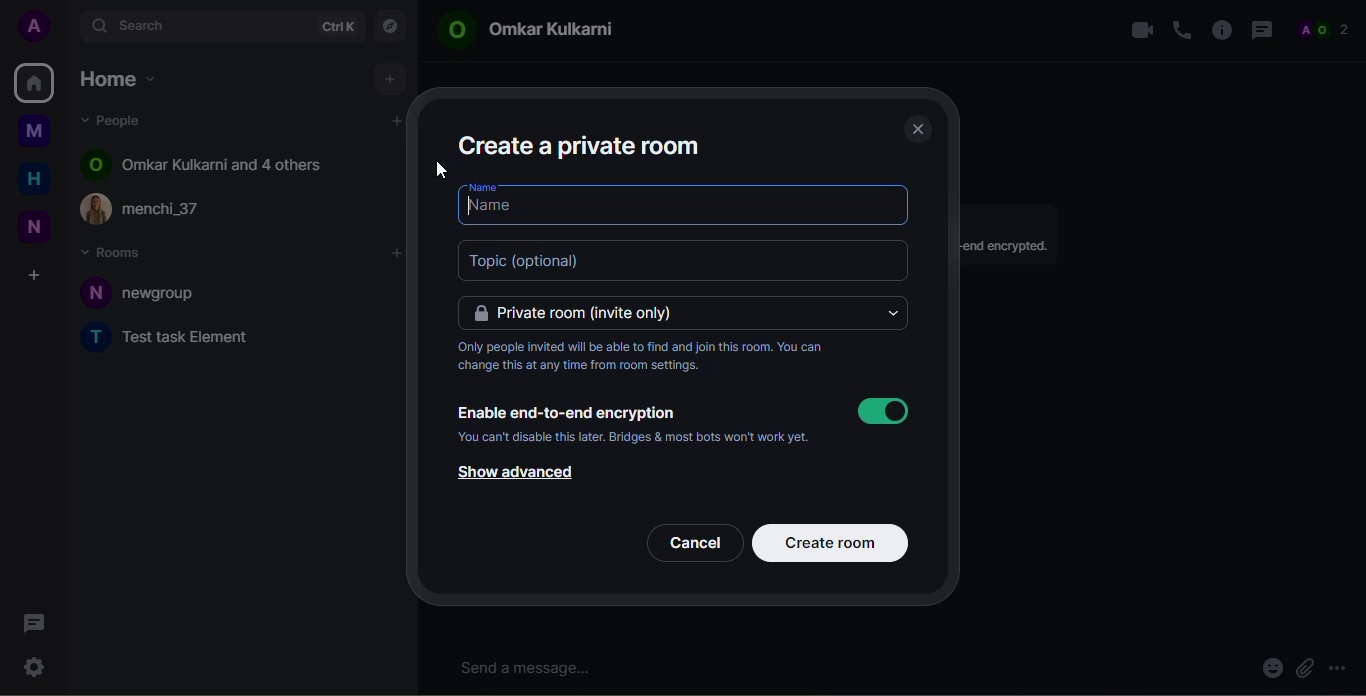 This screenshot has width=1366, height=696. I want to click on cancel, so click(694, 541).